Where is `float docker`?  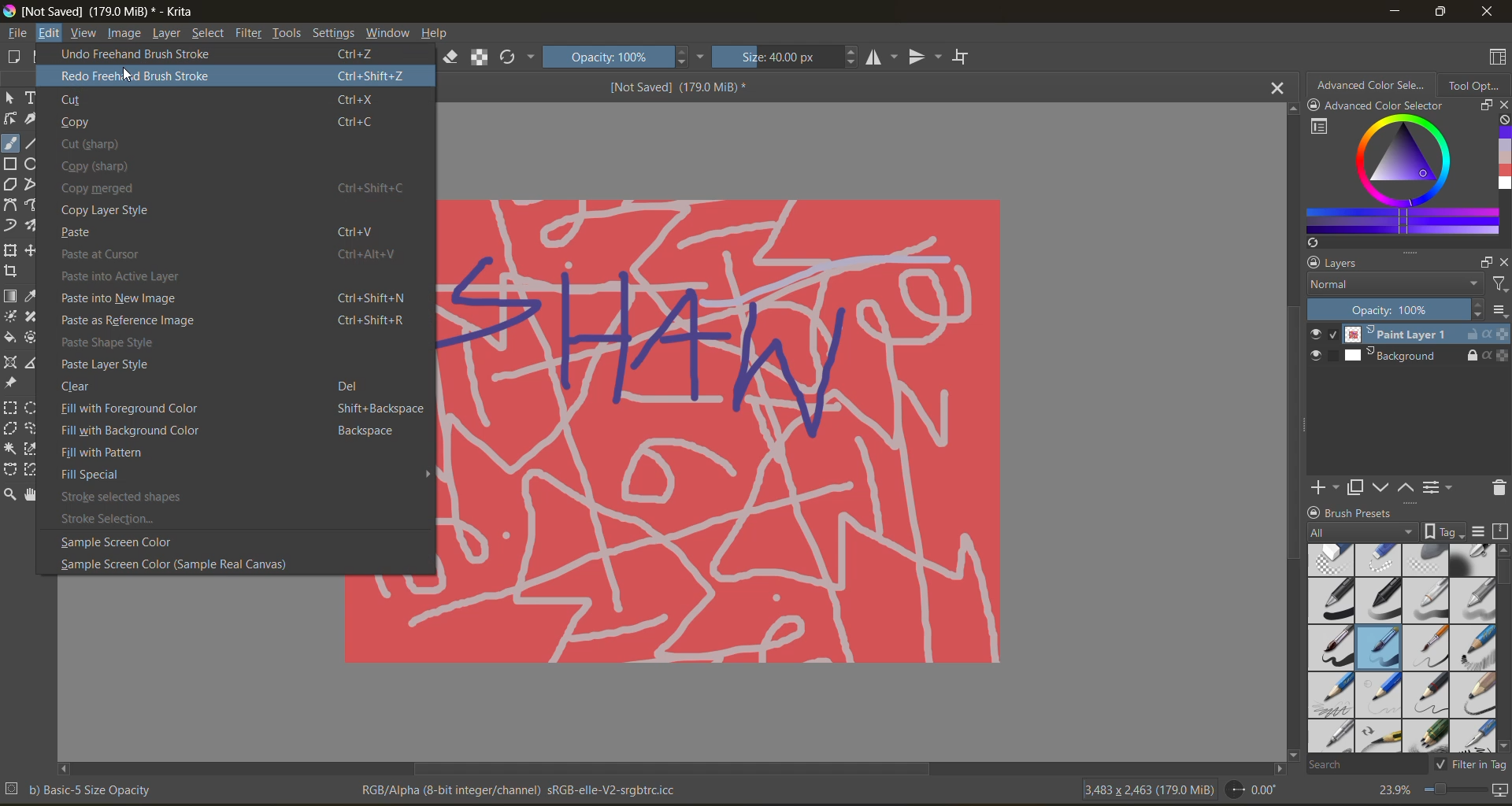 float docker is located at coordinates (1484, 105).